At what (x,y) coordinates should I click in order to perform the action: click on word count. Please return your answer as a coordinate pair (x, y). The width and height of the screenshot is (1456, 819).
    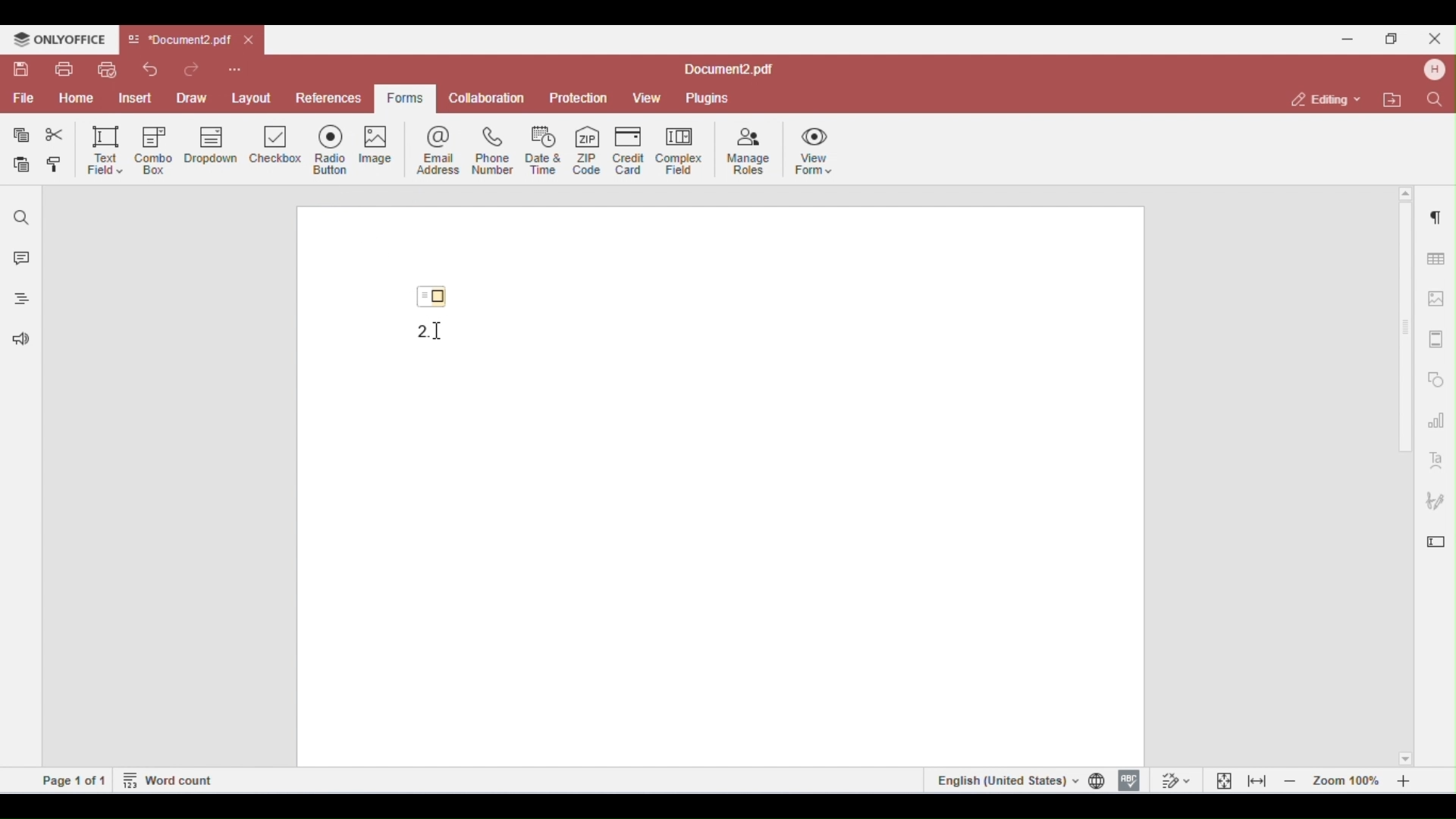
    Looking at the image, I should click on (169, 779).